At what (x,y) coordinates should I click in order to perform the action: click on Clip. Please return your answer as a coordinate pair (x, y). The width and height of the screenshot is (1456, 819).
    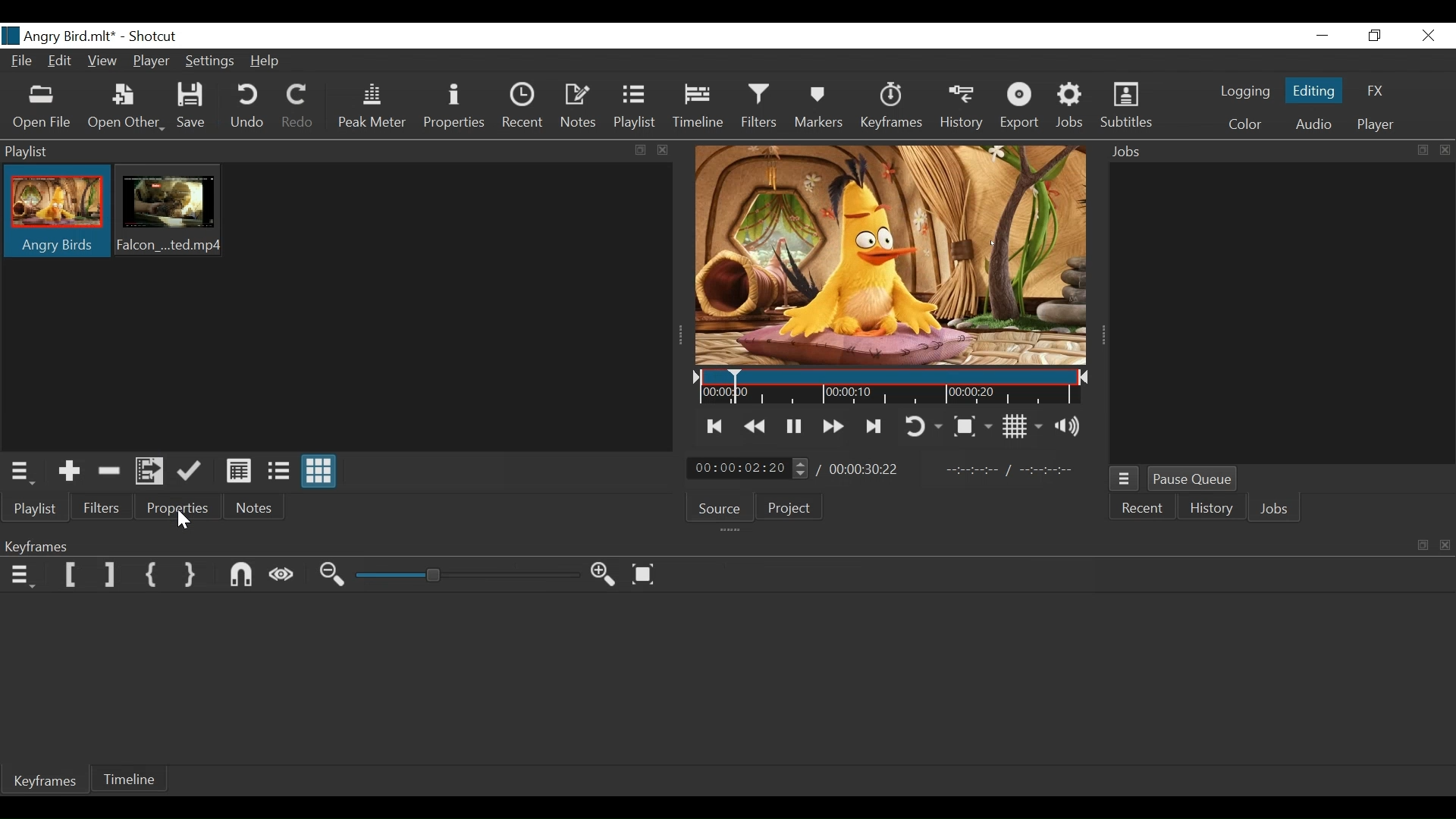
    Looking at the image, I should click on (57, 212).